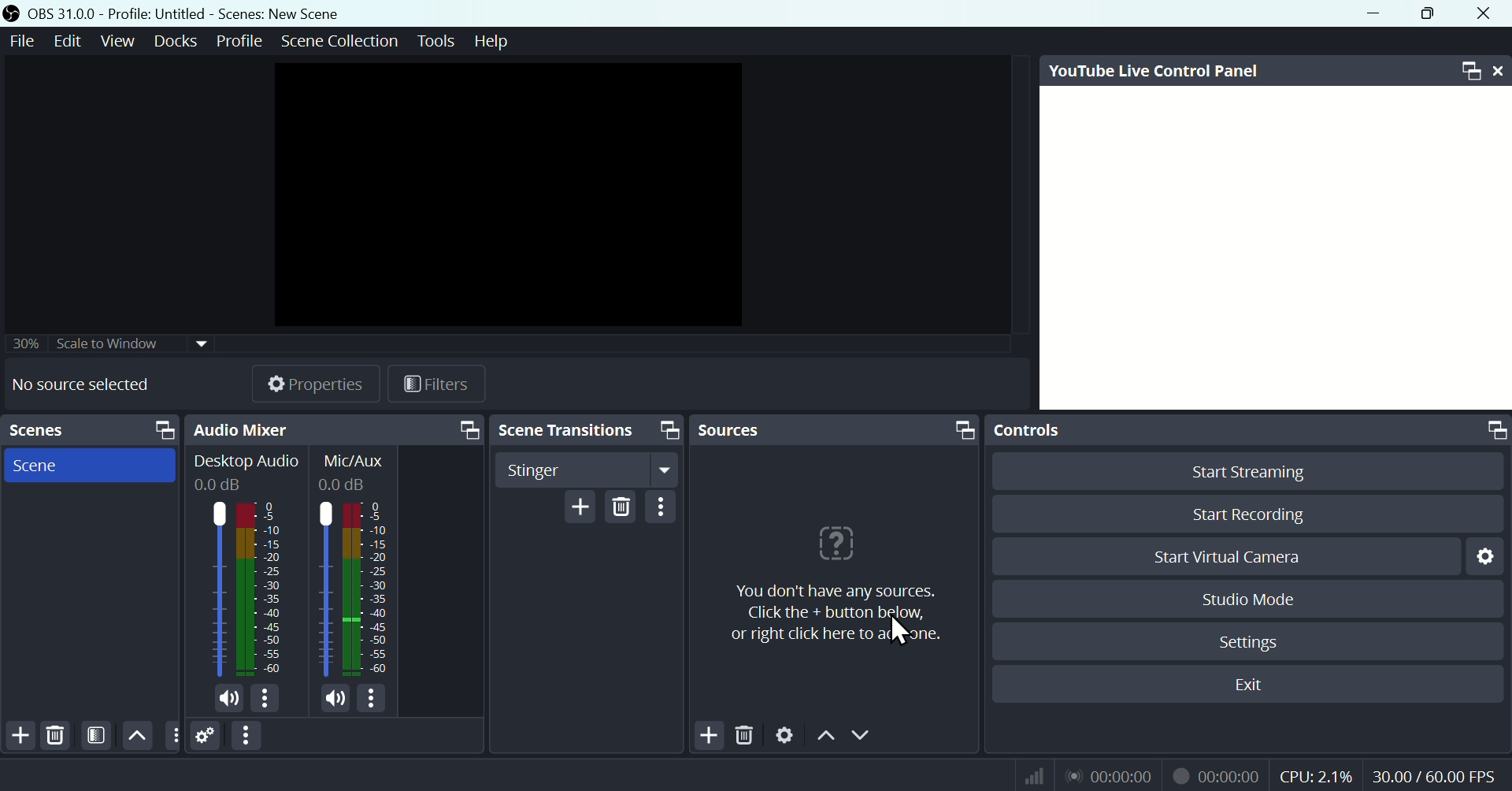  I want to click on Add, so click(19, 736).